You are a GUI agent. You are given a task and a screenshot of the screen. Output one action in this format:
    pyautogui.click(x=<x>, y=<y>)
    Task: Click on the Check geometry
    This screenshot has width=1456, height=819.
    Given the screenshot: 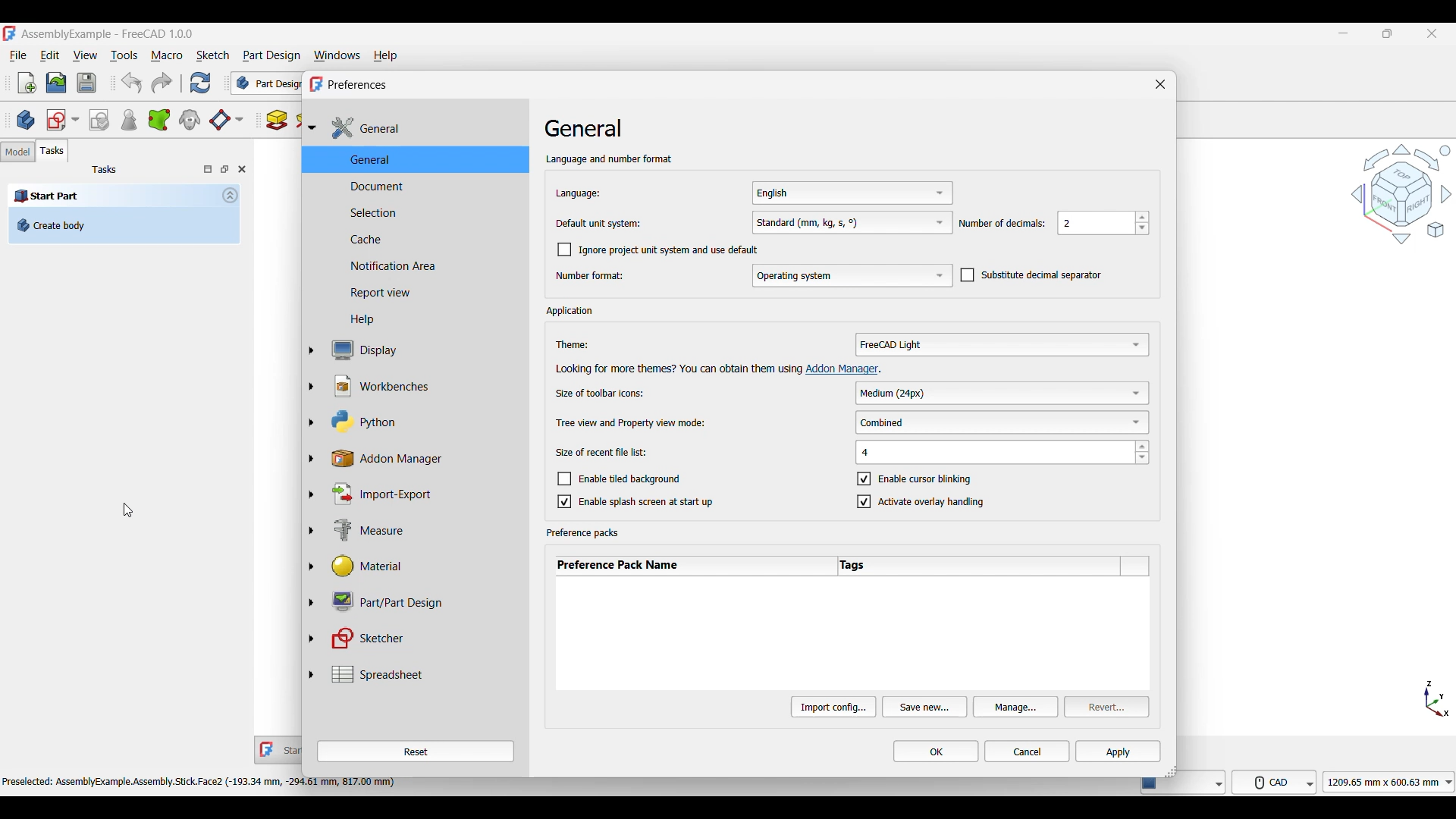 What is the action you would take?
    pyautogui.click(x=129, y=121)
    